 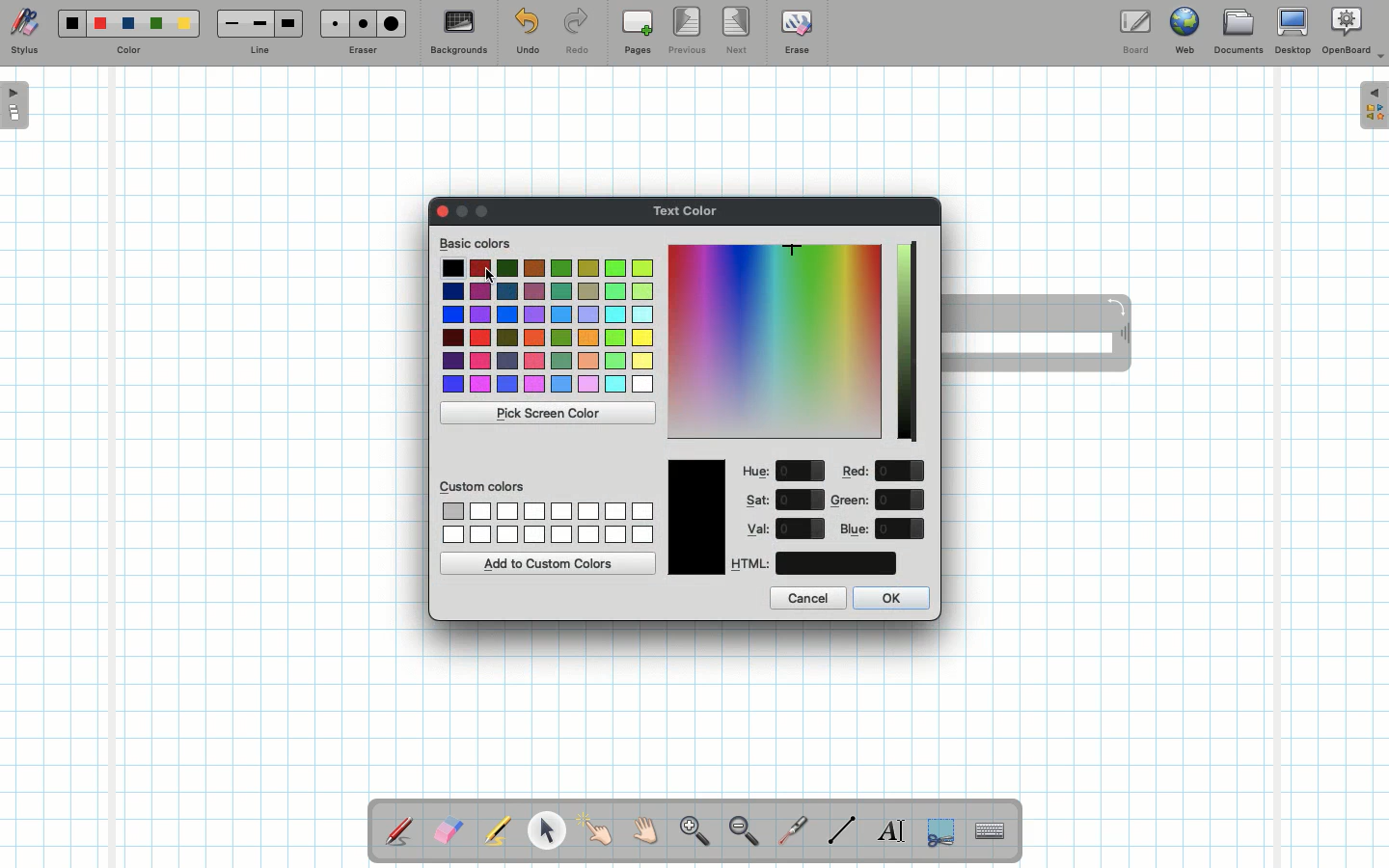 What do you see at coordinates (362, 52) in the screenshot?
I see `Eraser` at bounding box center [362, 52].